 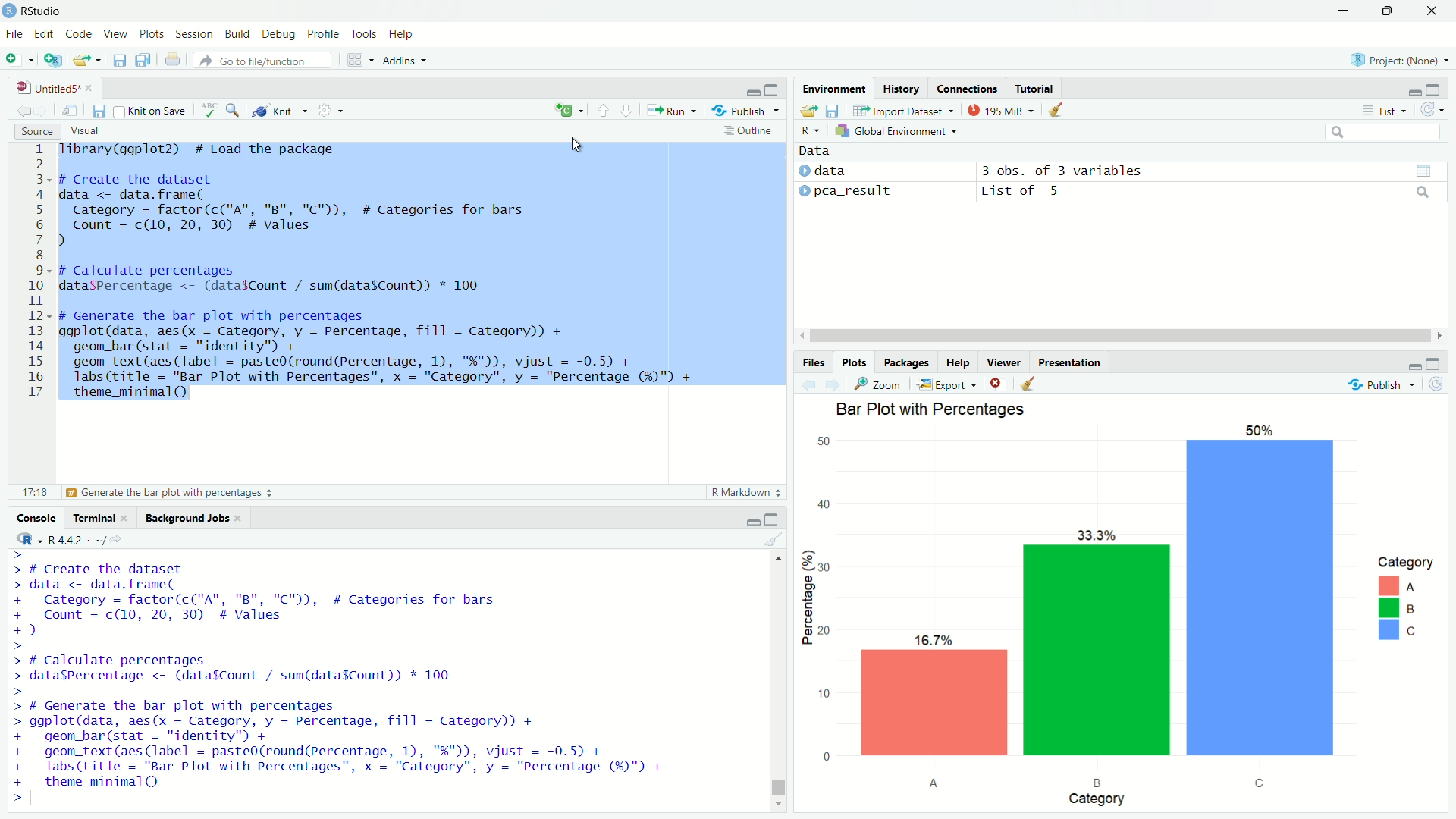 I want to click on file name: untitled5, so click(x=55, y=88).